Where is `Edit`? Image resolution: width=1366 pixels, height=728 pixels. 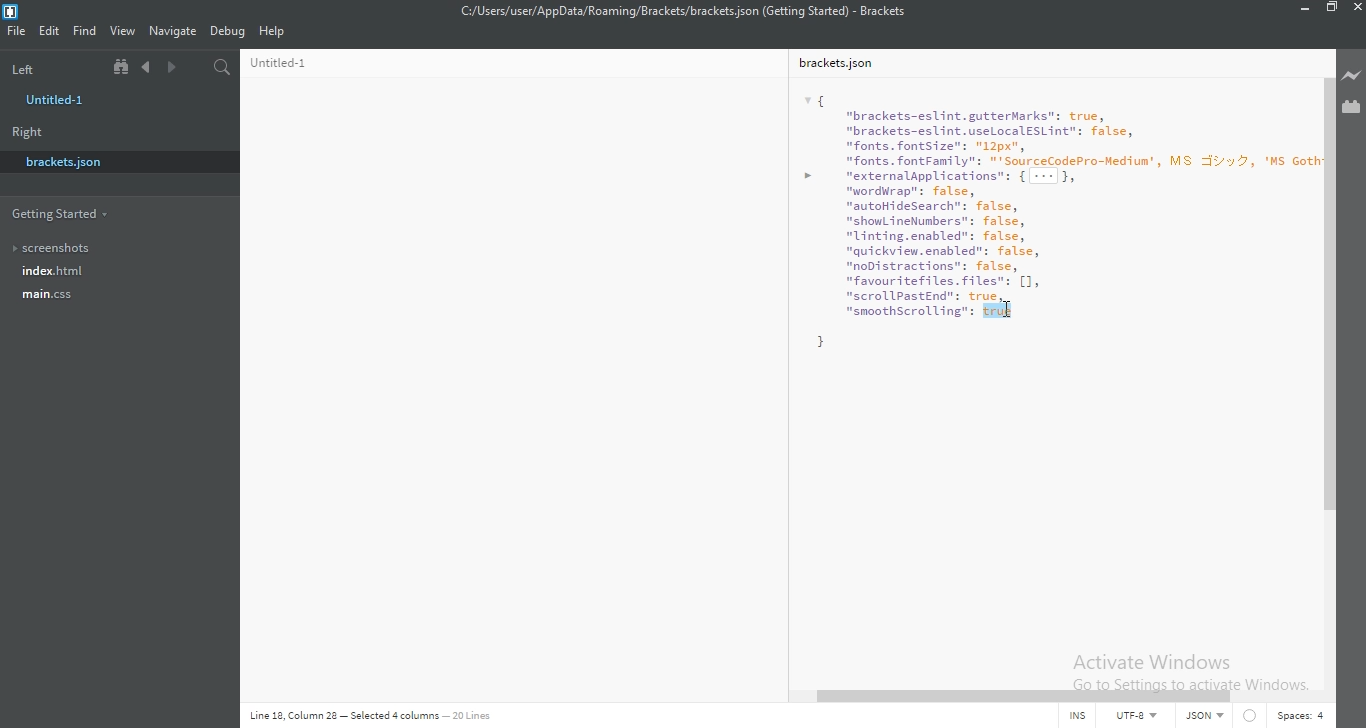 Edit is located at coordinates (52, 30).